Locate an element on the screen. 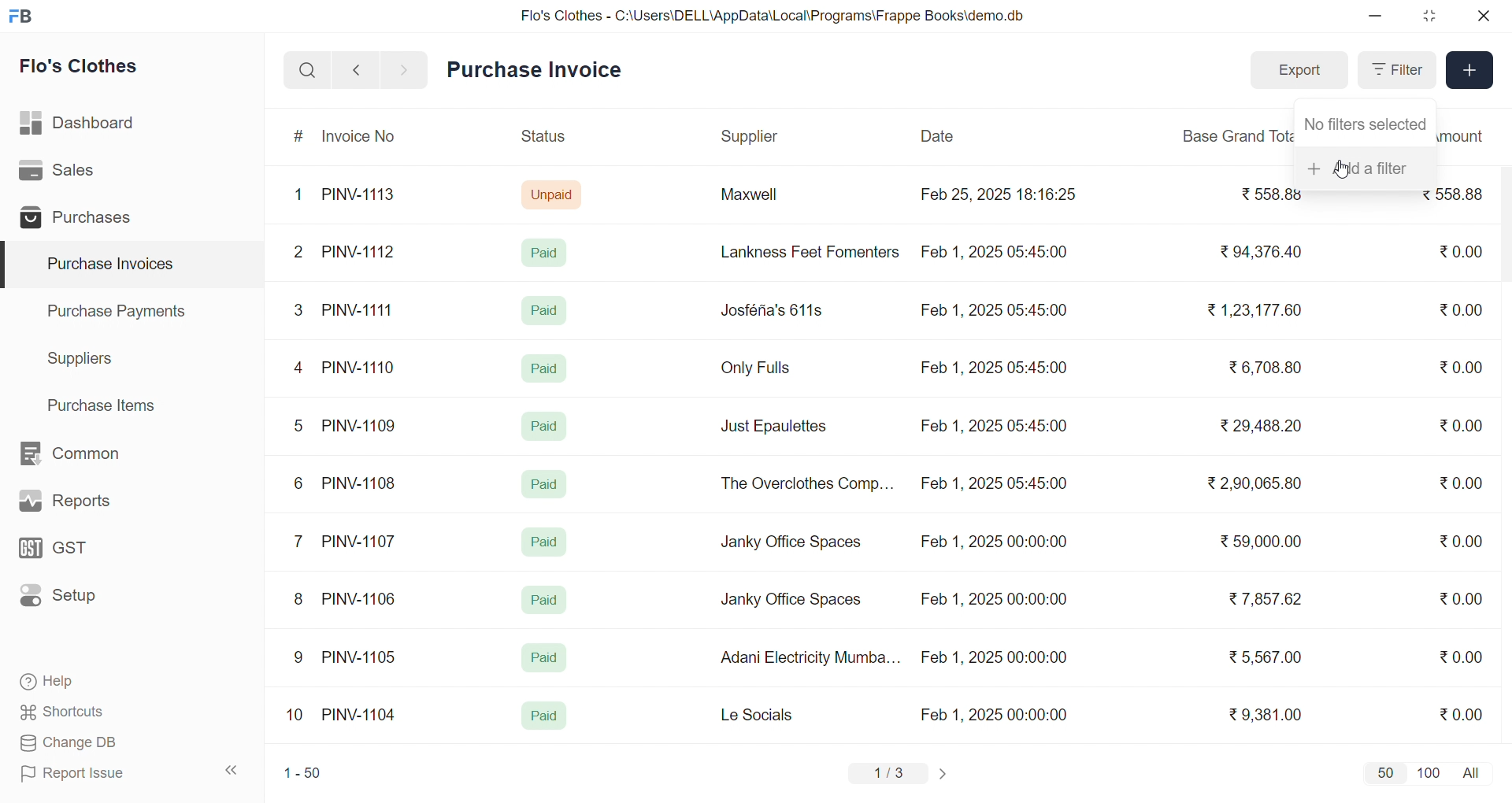 The image size is (1512, 803). ₹ 558.88 is located at coordinates (1262, 196).